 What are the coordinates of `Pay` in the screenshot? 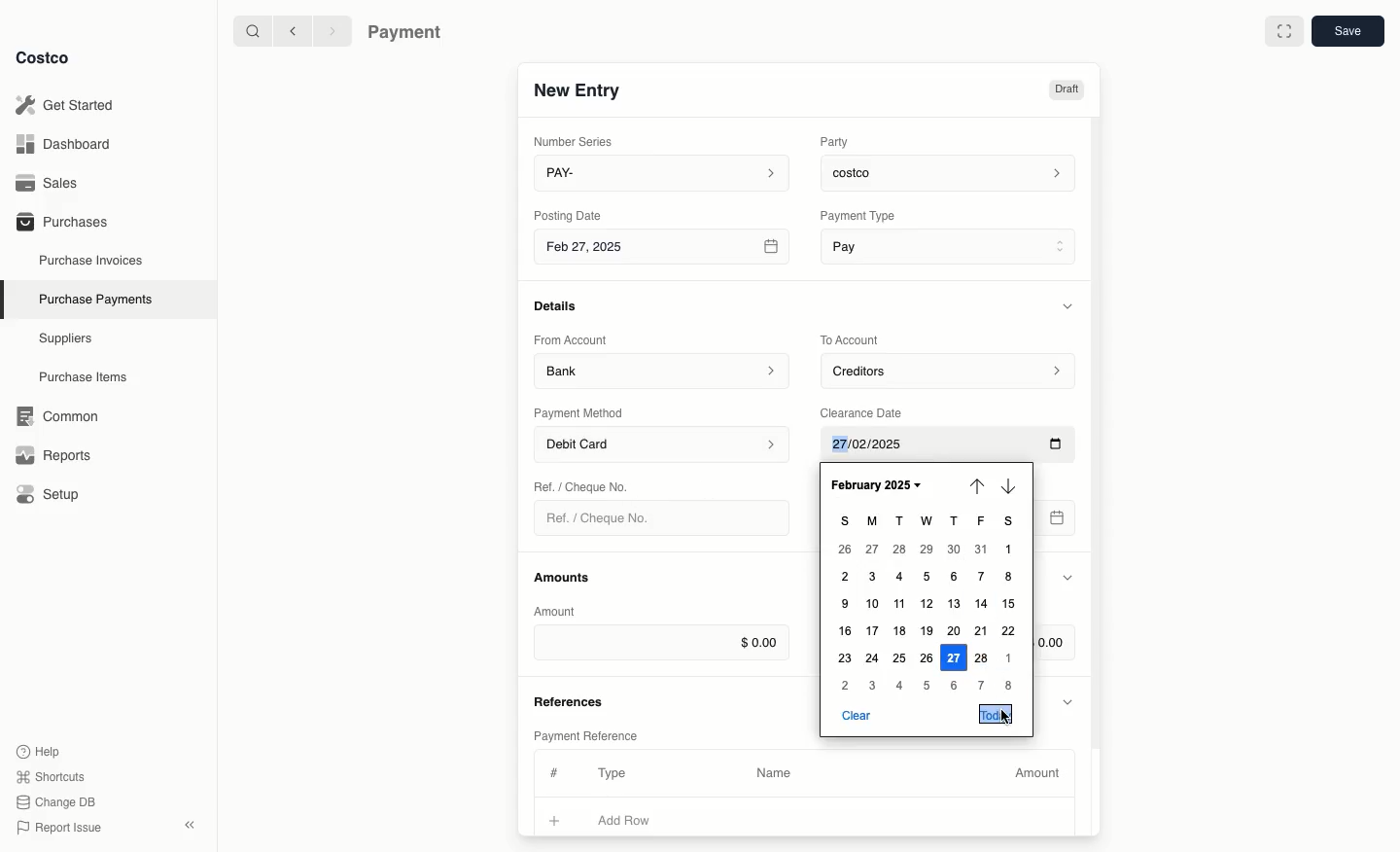 It's located at (951, 245).